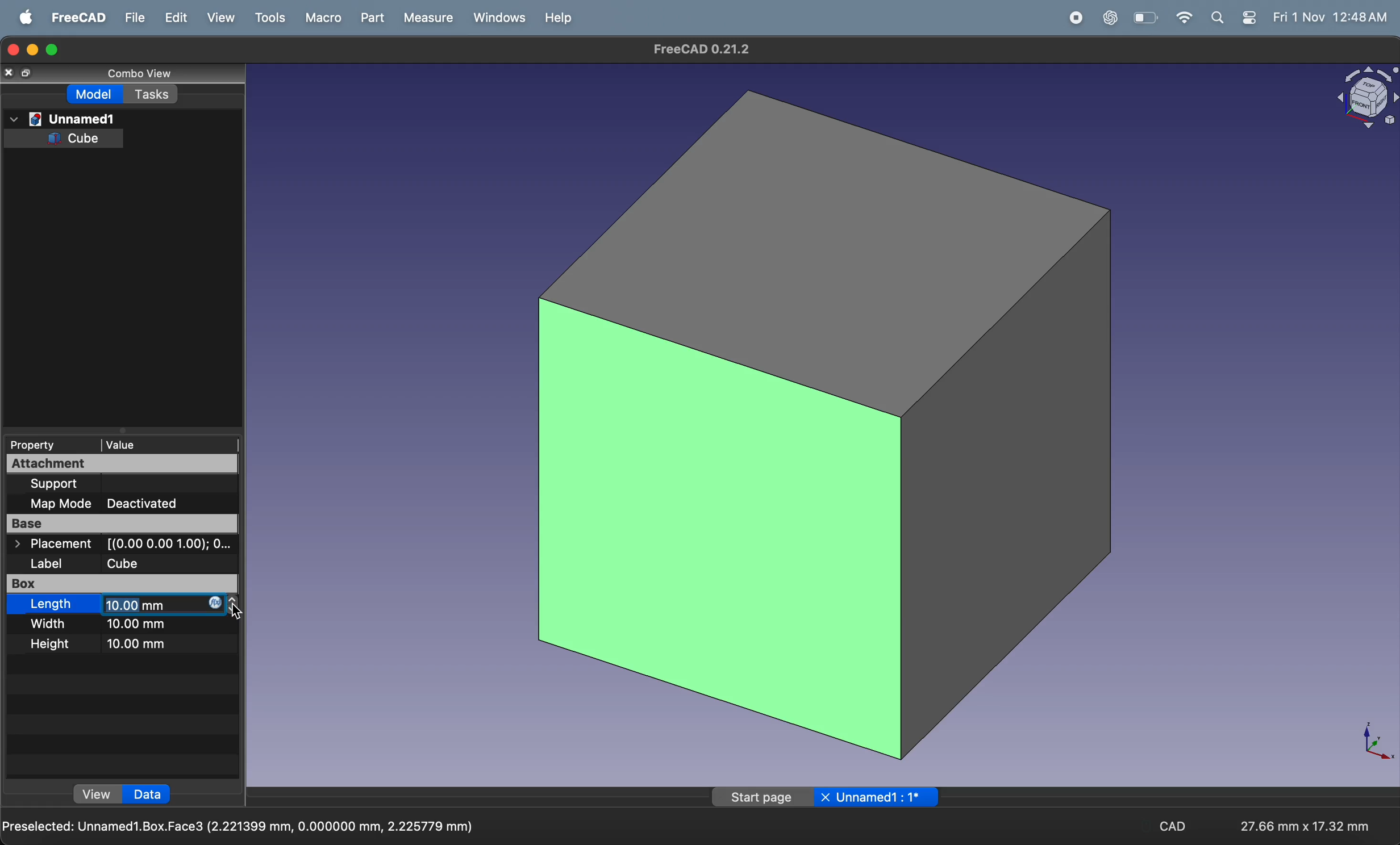 The height and width of the screenshot is (845, 1400). I want to click on closing window, so click(13, 51).